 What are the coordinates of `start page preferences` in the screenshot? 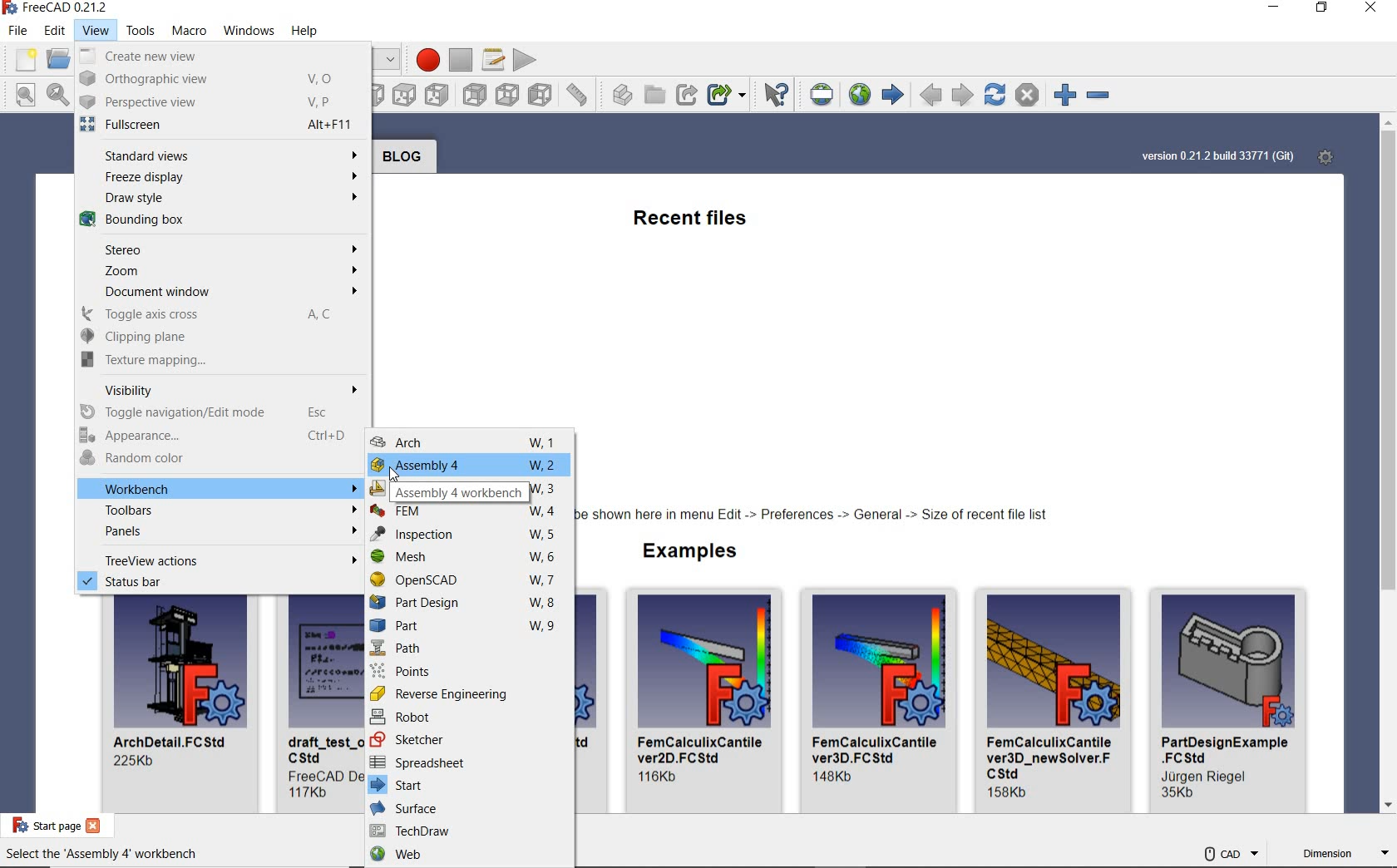 It's located at (1329, 158).